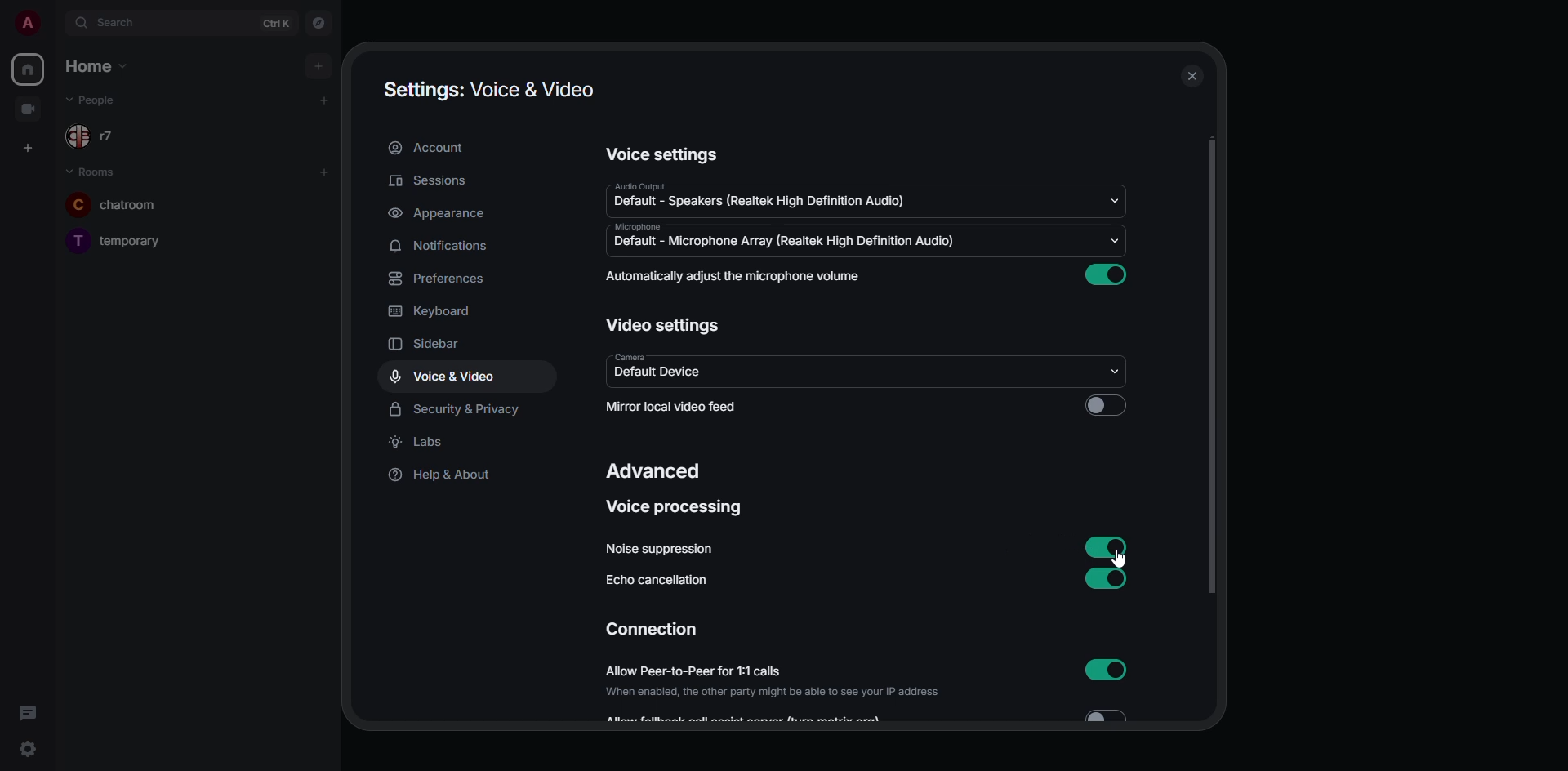 The image size is (1568, 771). Describe the element at coordinates (1107, 407) in the screenshot. I see `click to enable` at that location.